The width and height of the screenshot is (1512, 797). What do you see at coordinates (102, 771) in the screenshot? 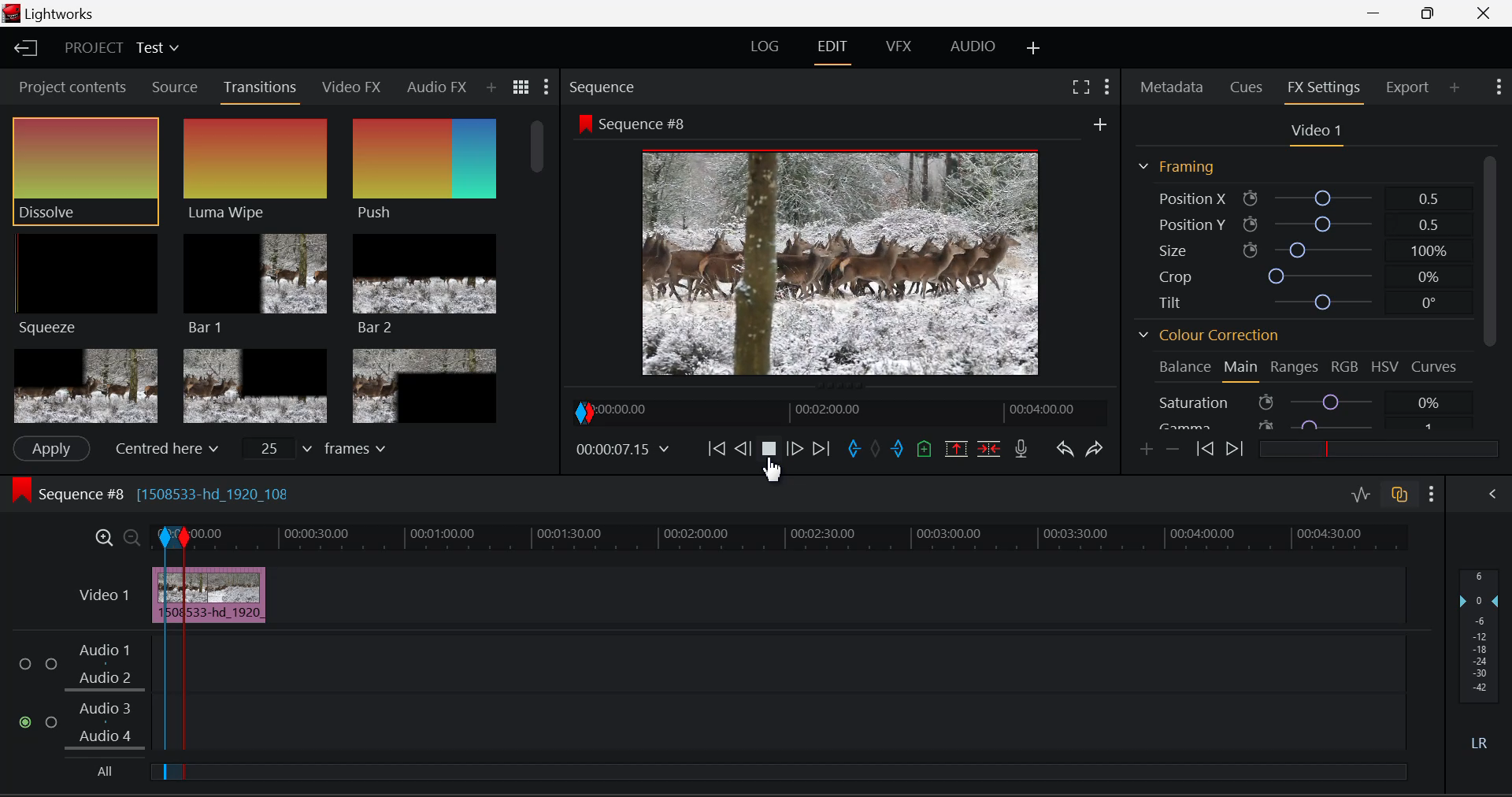
I see `All` at bounding box center [102, 771].